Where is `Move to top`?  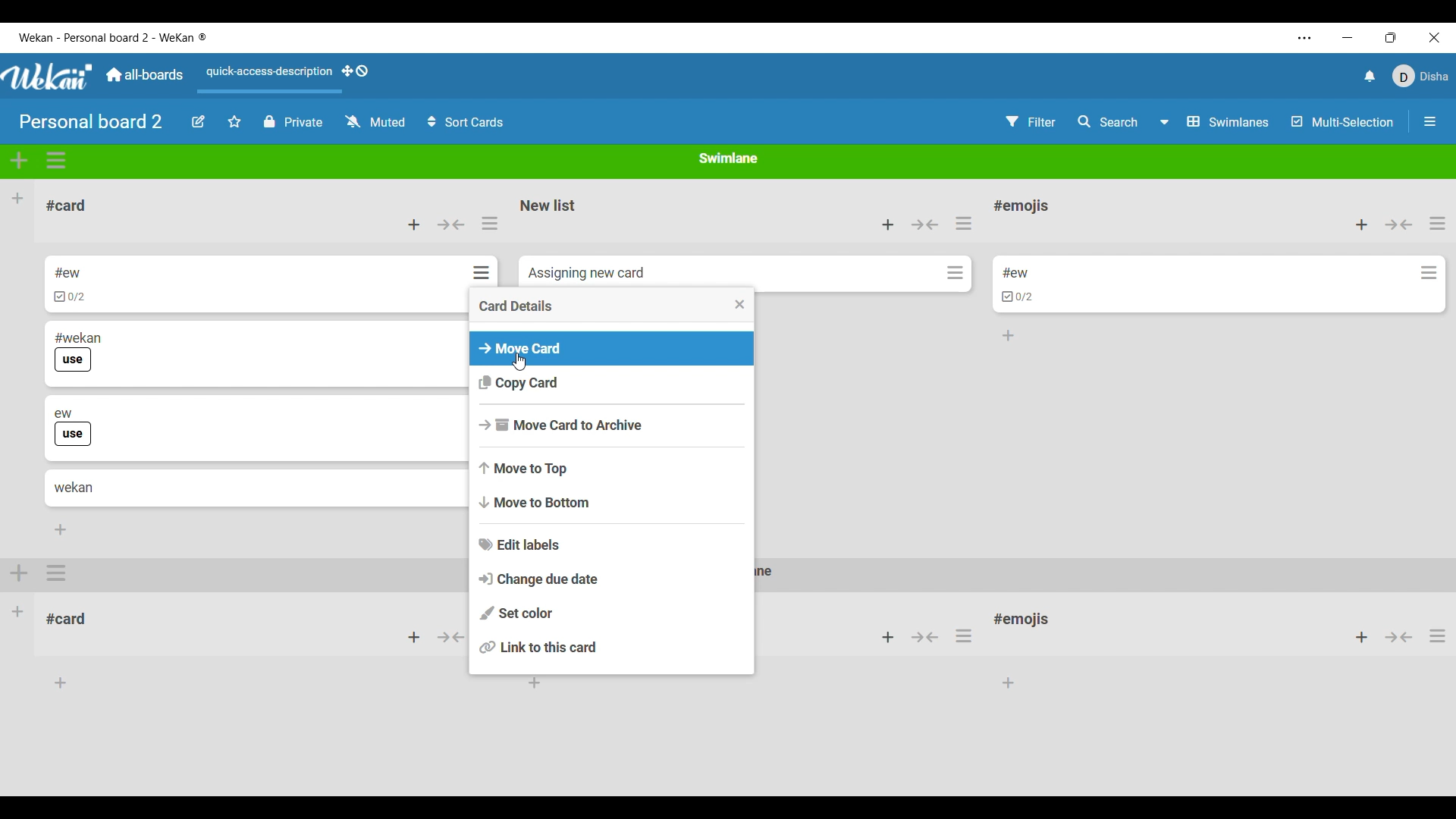
Move to top is located at coordinates (613, 468).